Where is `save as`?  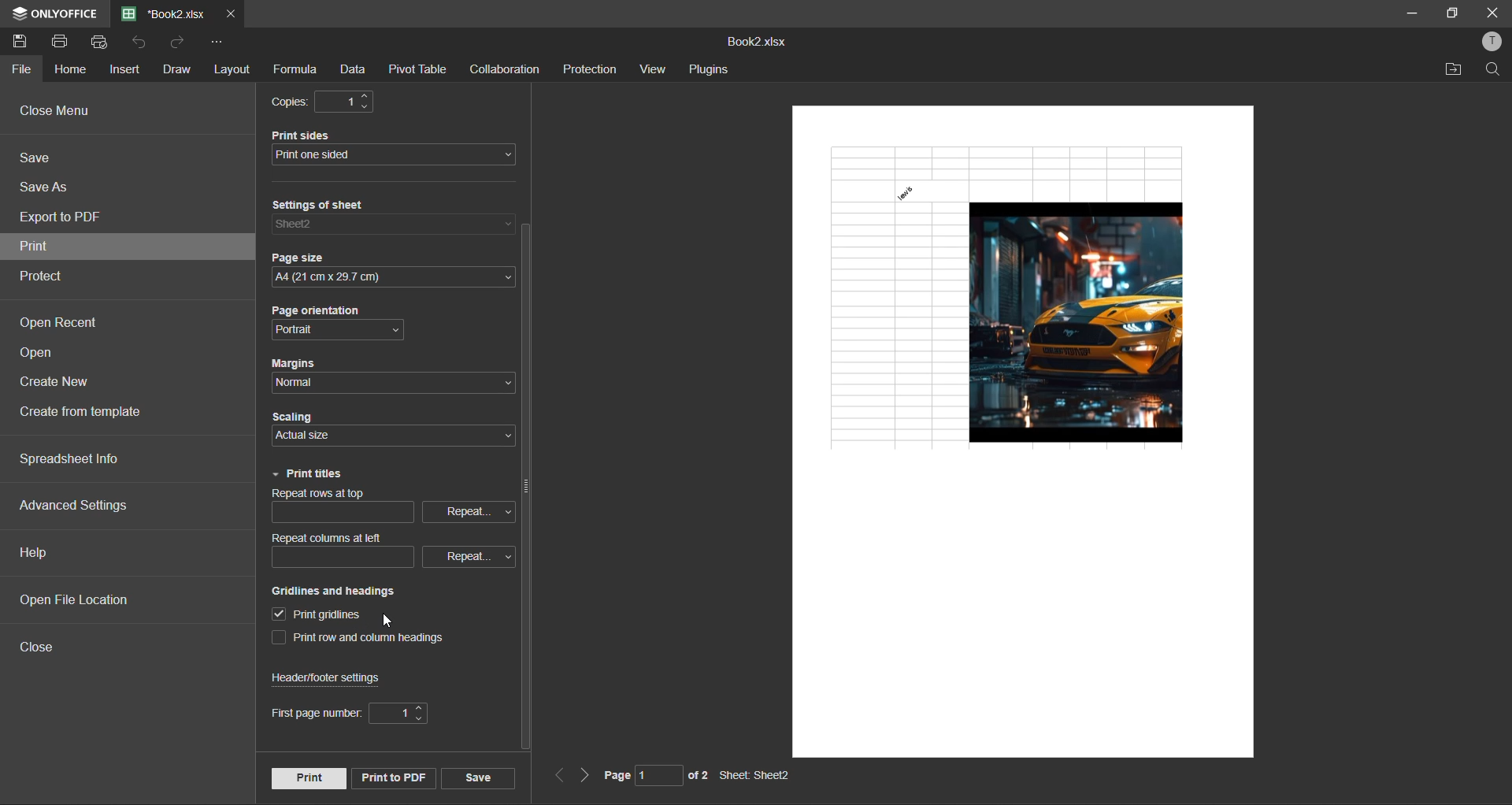
save as is located at coordinates (46, 189).